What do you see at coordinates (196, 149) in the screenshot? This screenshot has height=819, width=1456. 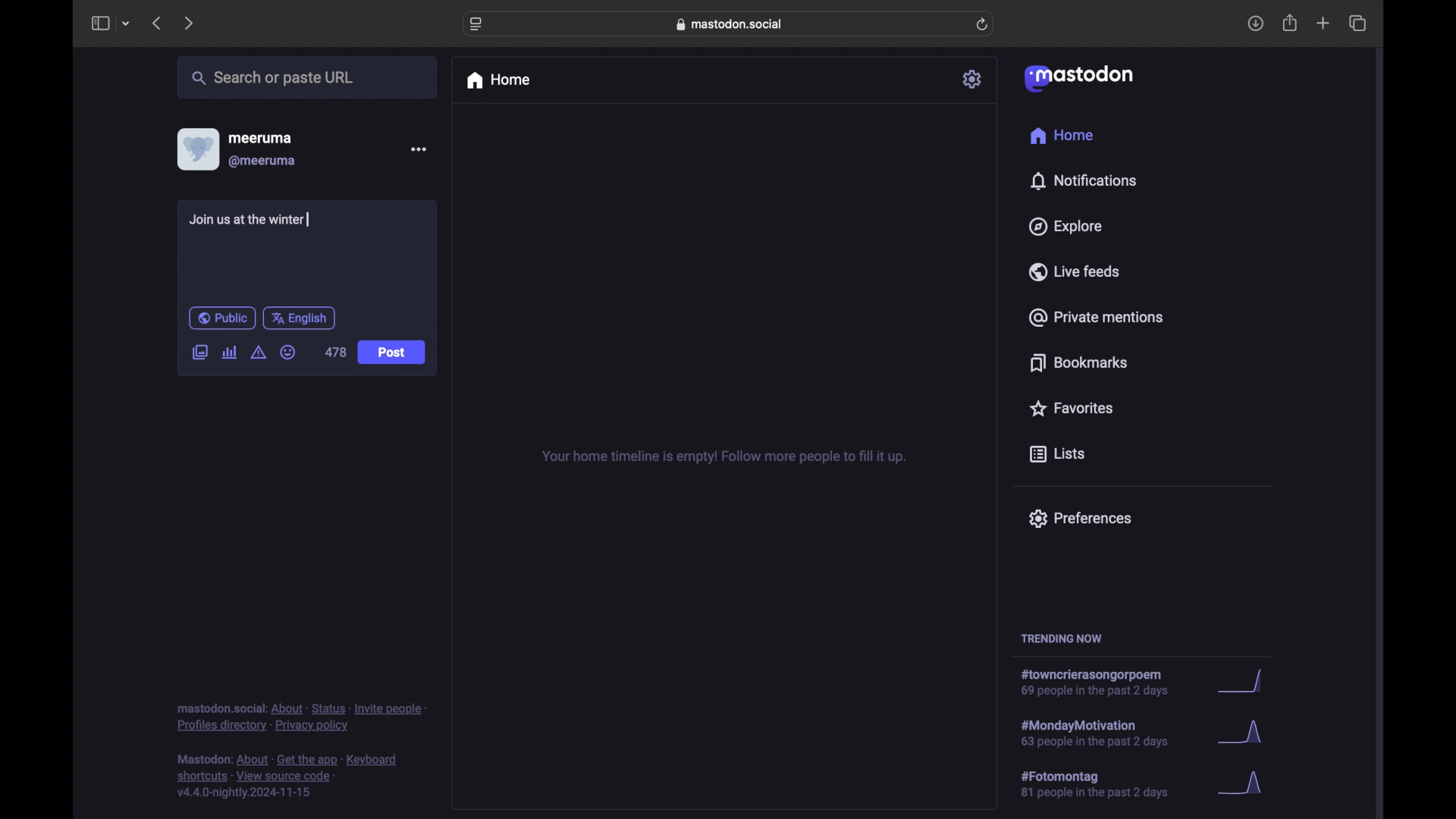 I see `display picture` at bounding box center [196, 149].